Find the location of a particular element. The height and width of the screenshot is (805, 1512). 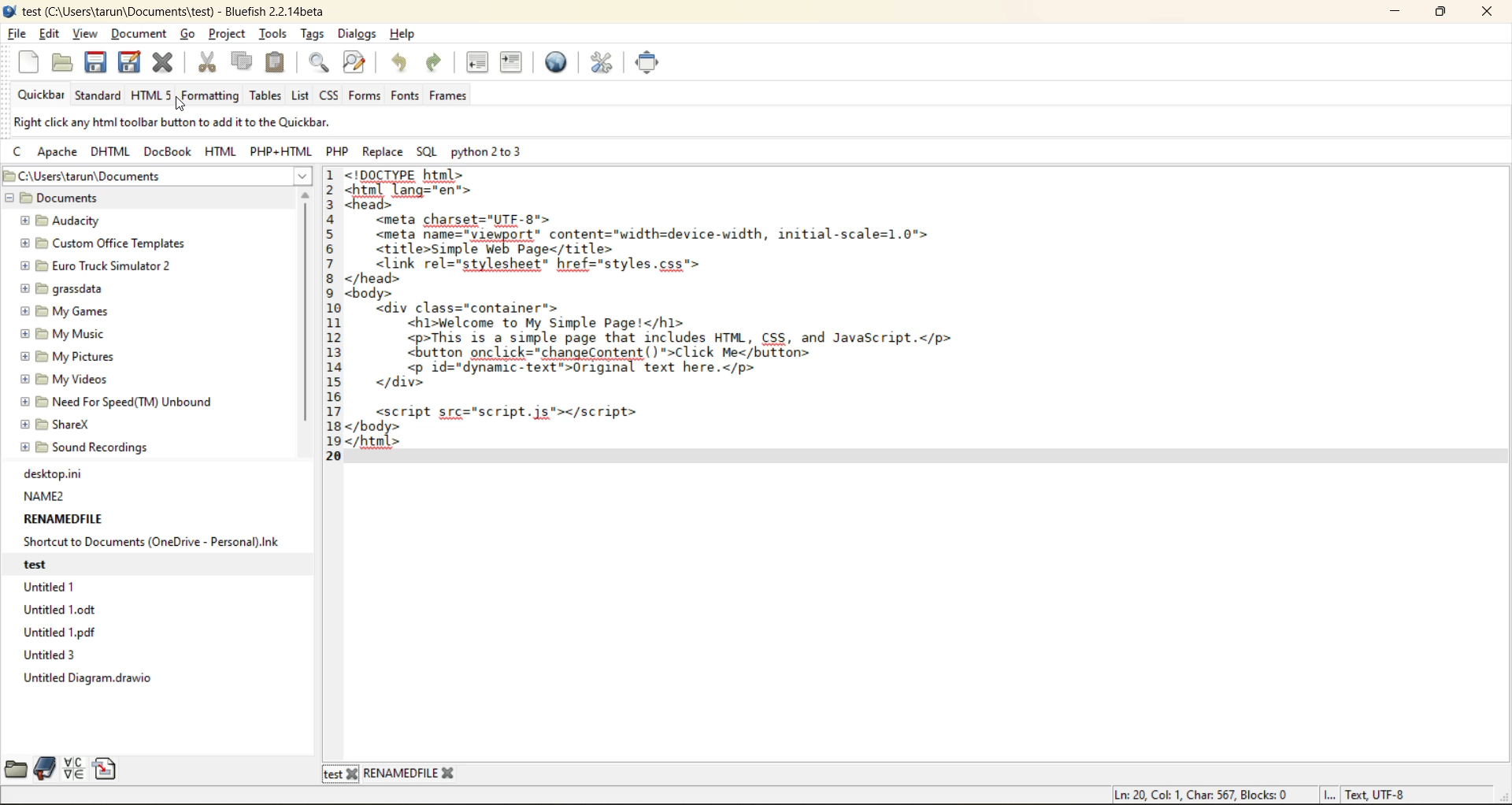

css is located at coordinates (329, 95).